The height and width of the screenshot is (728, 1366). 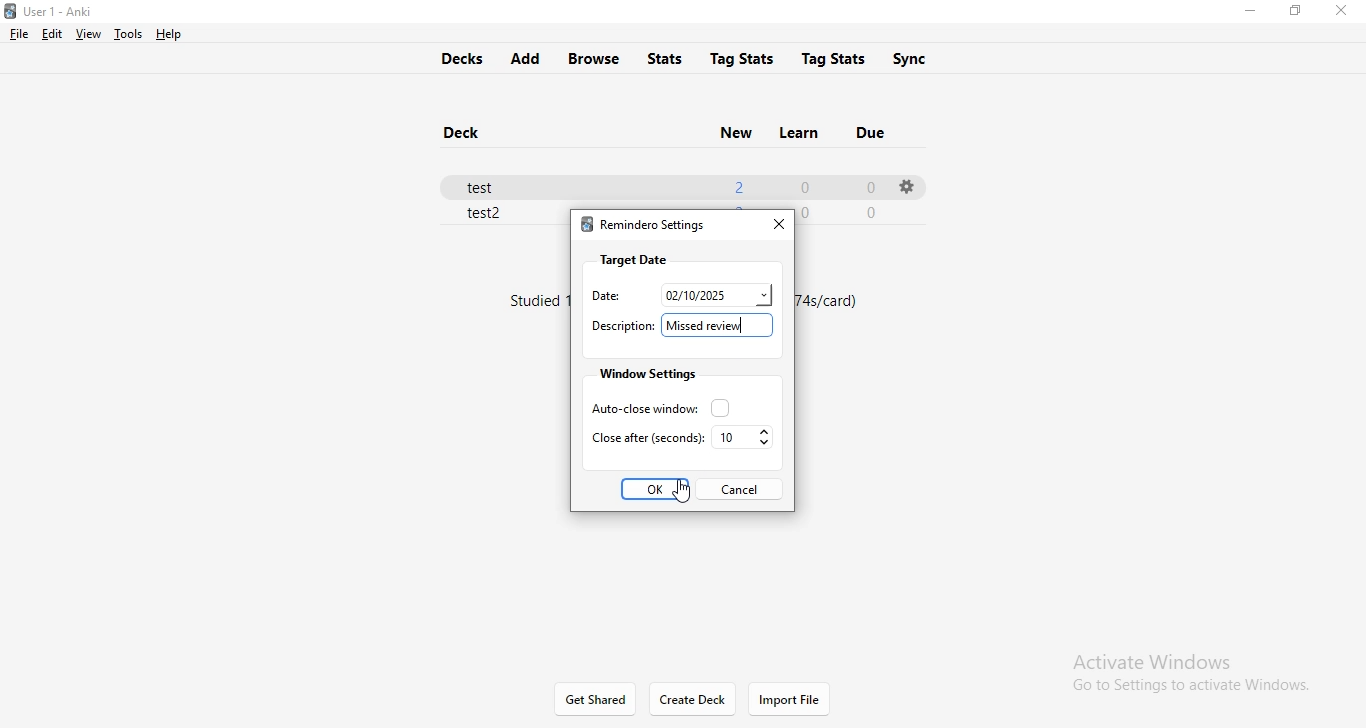 What do you see at coordinates (716, 293) in the screenshot?
I see `date` at bounding box center [716, 293].